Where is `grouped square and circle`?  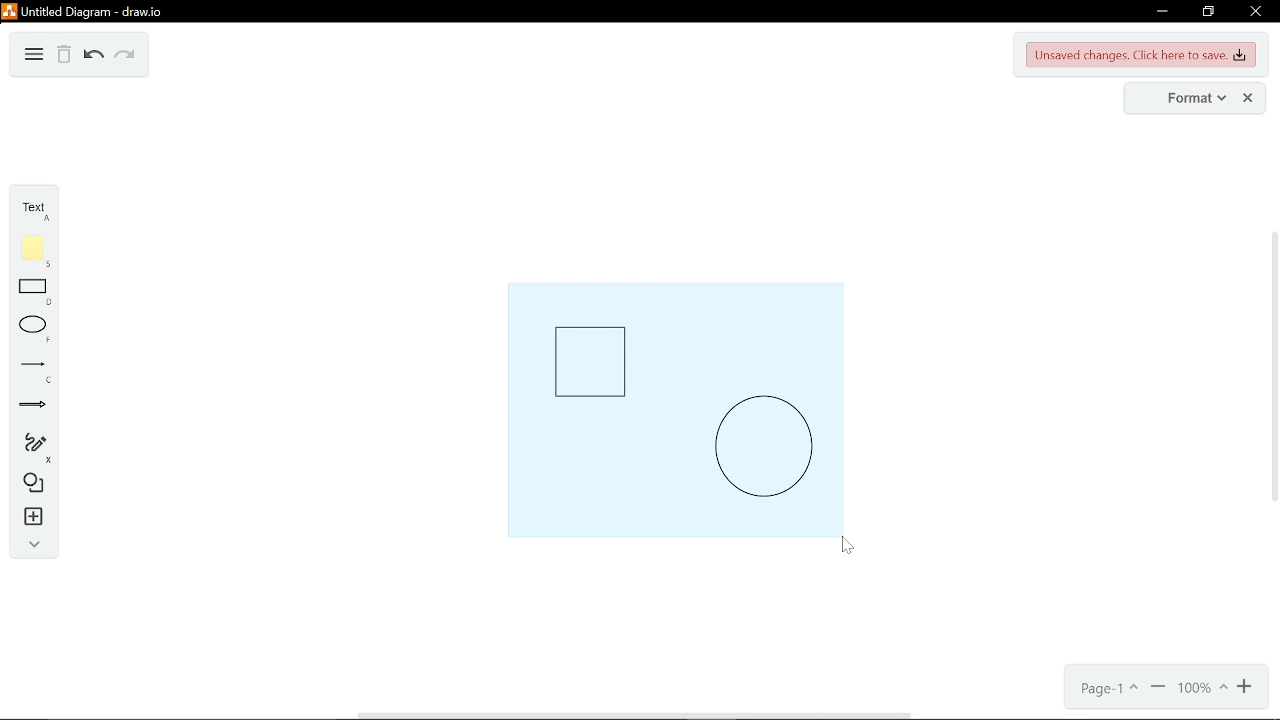 grouped square and circle is located at coordinates (674, 409).